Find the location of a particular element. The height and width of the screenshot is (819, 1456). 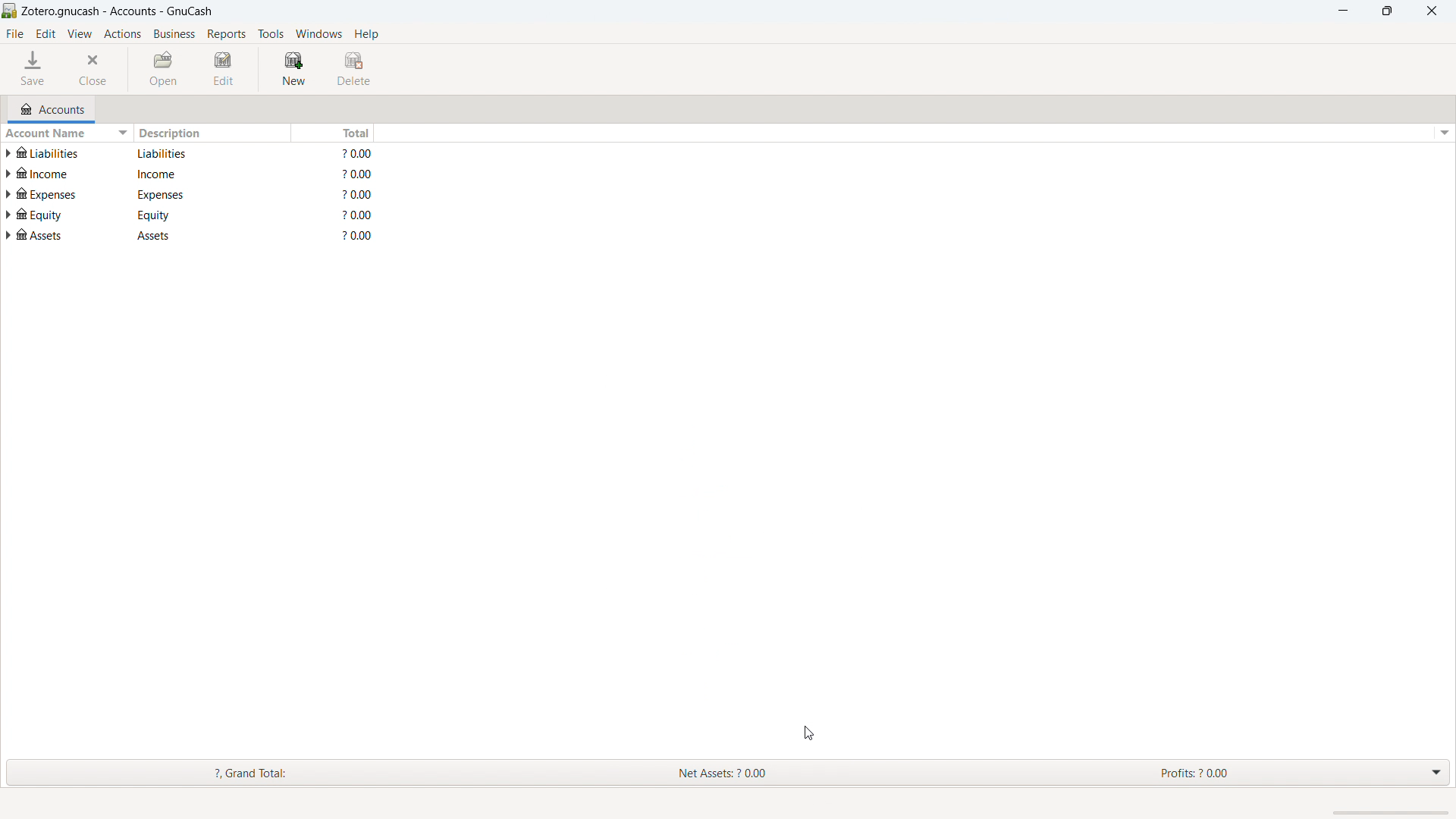

edit is located at coordinates (46, 33).